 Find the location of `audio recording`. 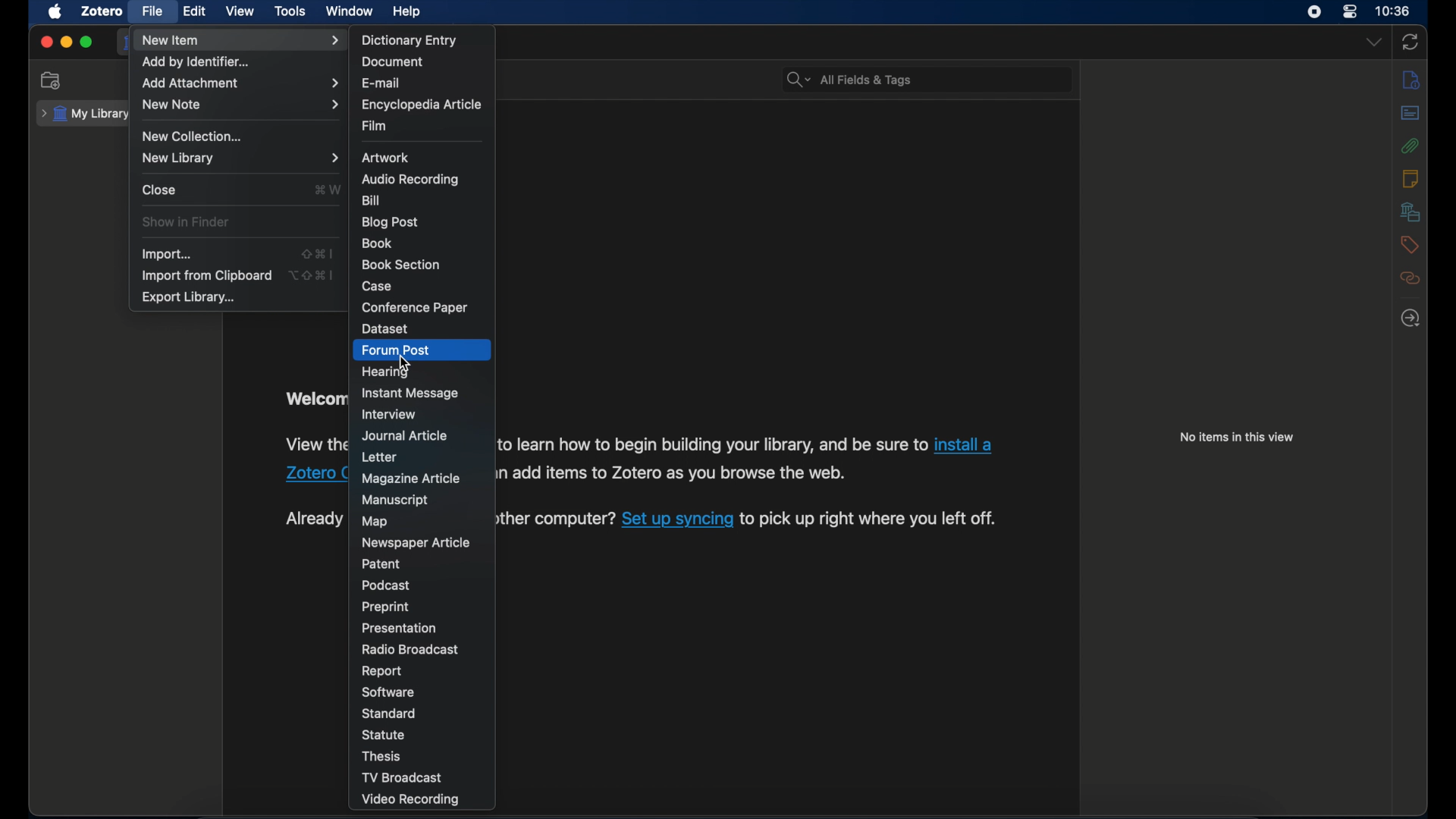

audio recording is located at coordinates (411, 179).